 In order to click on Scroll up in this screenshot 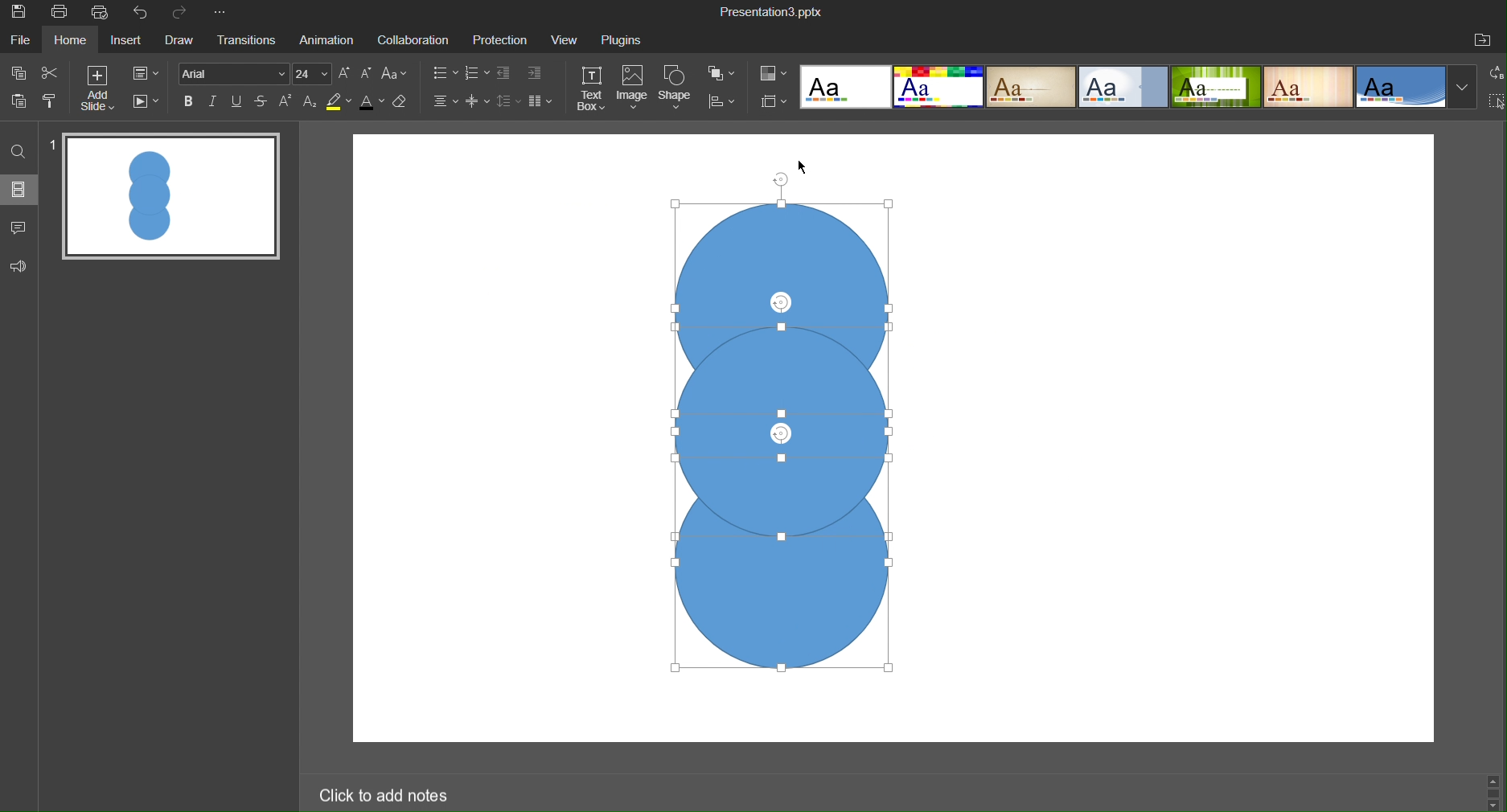, I will do `click(1497, 777)`.